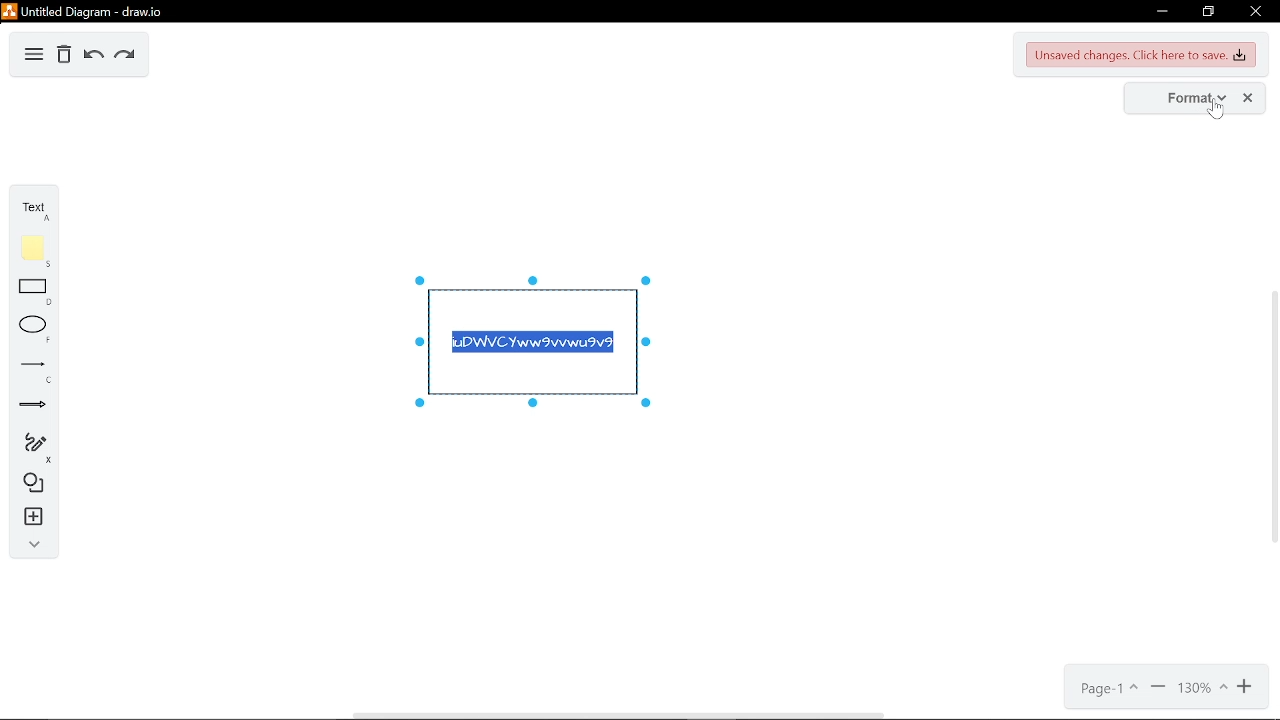  What do you see at coordinates (621, 715) in the screenshot?
I see `Horizontal scrollbar` at bounding box center [621, 715].